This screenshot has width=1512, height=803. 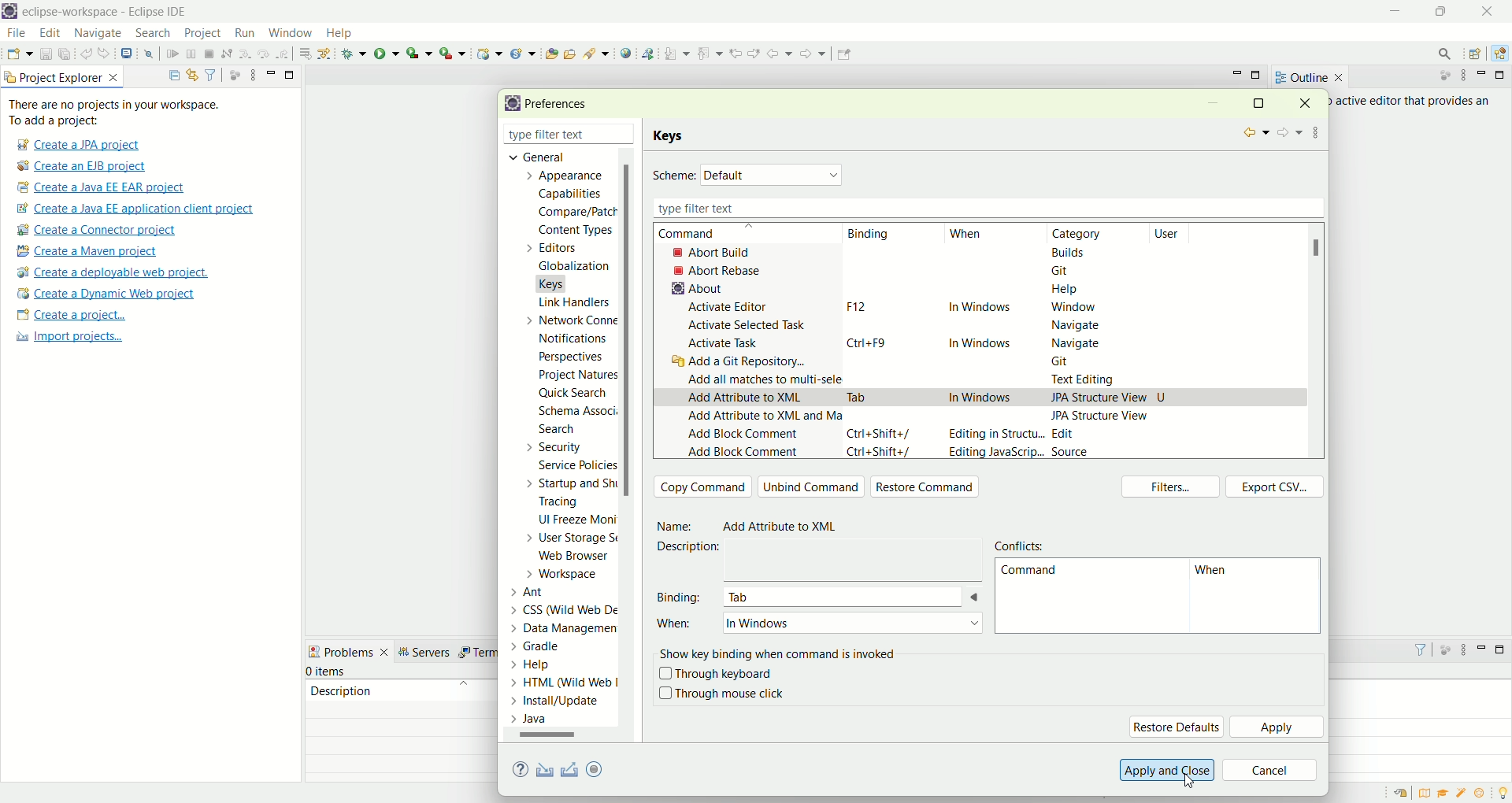 I want to click on oomph preference, so click(x=597, y=768).